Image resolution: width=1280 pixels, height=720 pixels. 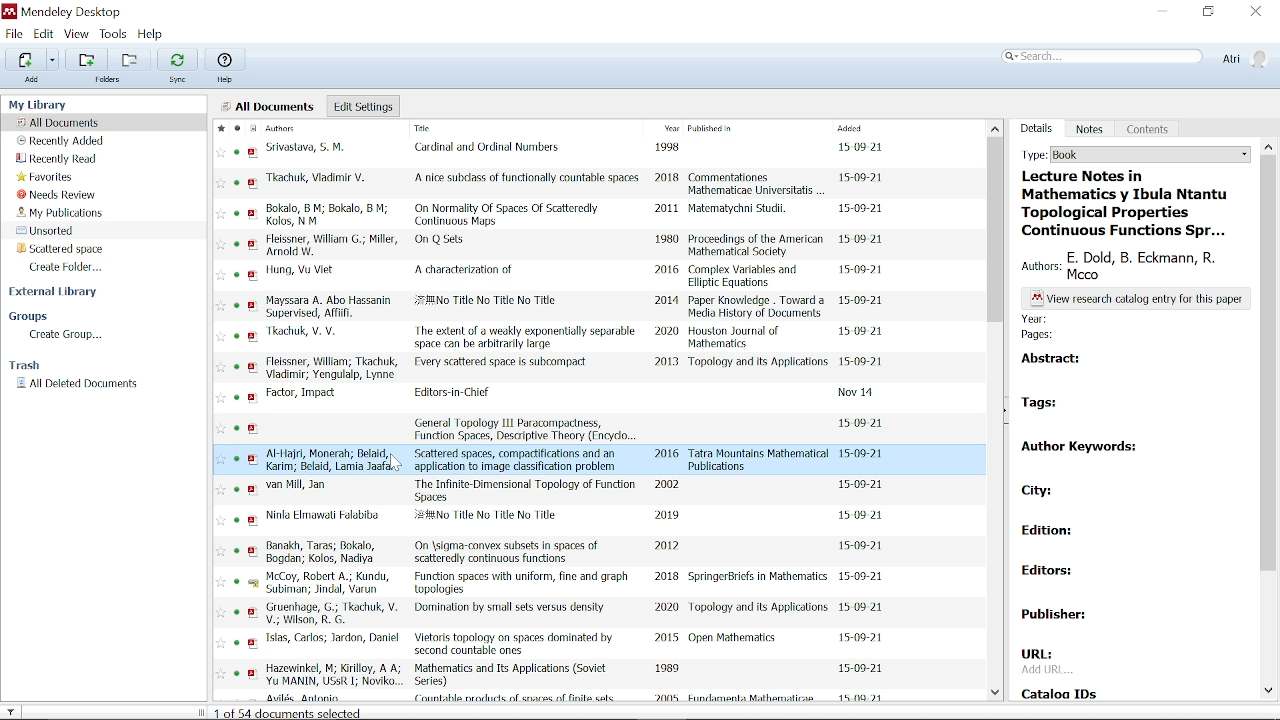 I want to click on date, so click(x=861, y=638).